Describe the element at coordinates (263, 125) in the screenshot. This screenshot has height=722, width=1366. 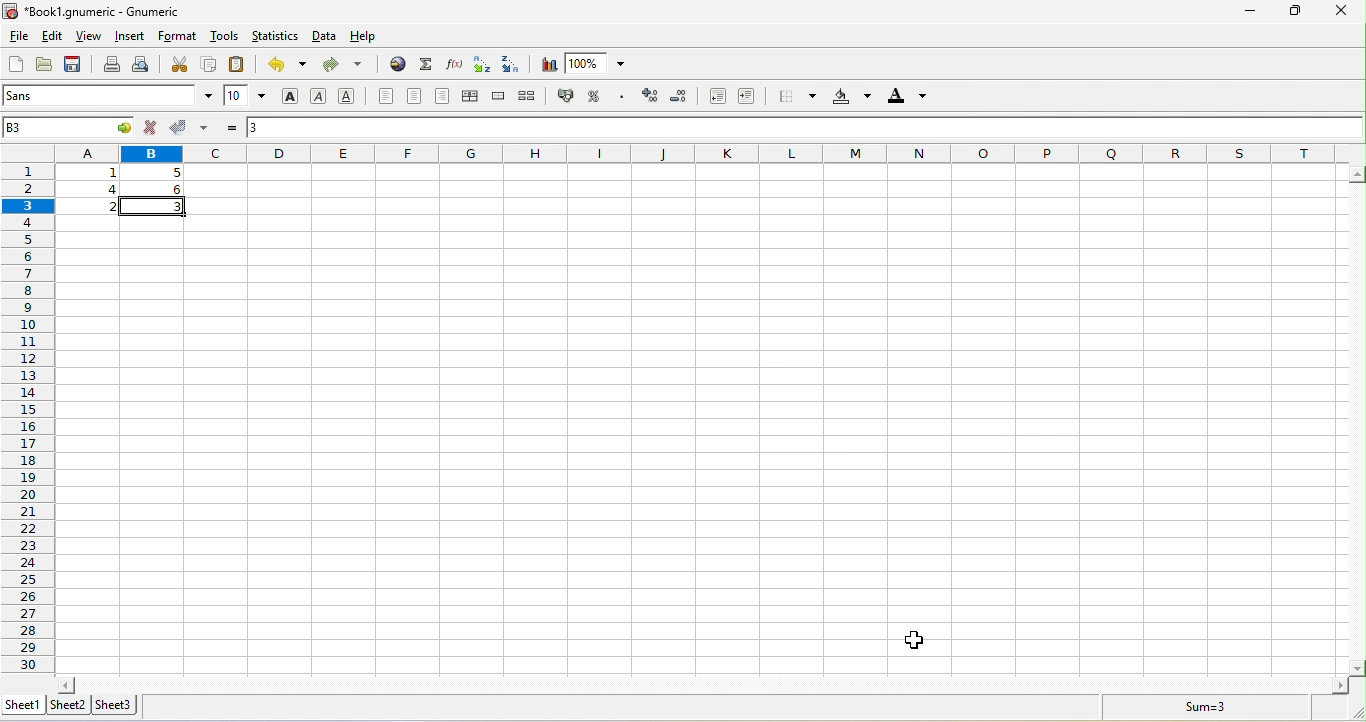
I see `3` at that location.